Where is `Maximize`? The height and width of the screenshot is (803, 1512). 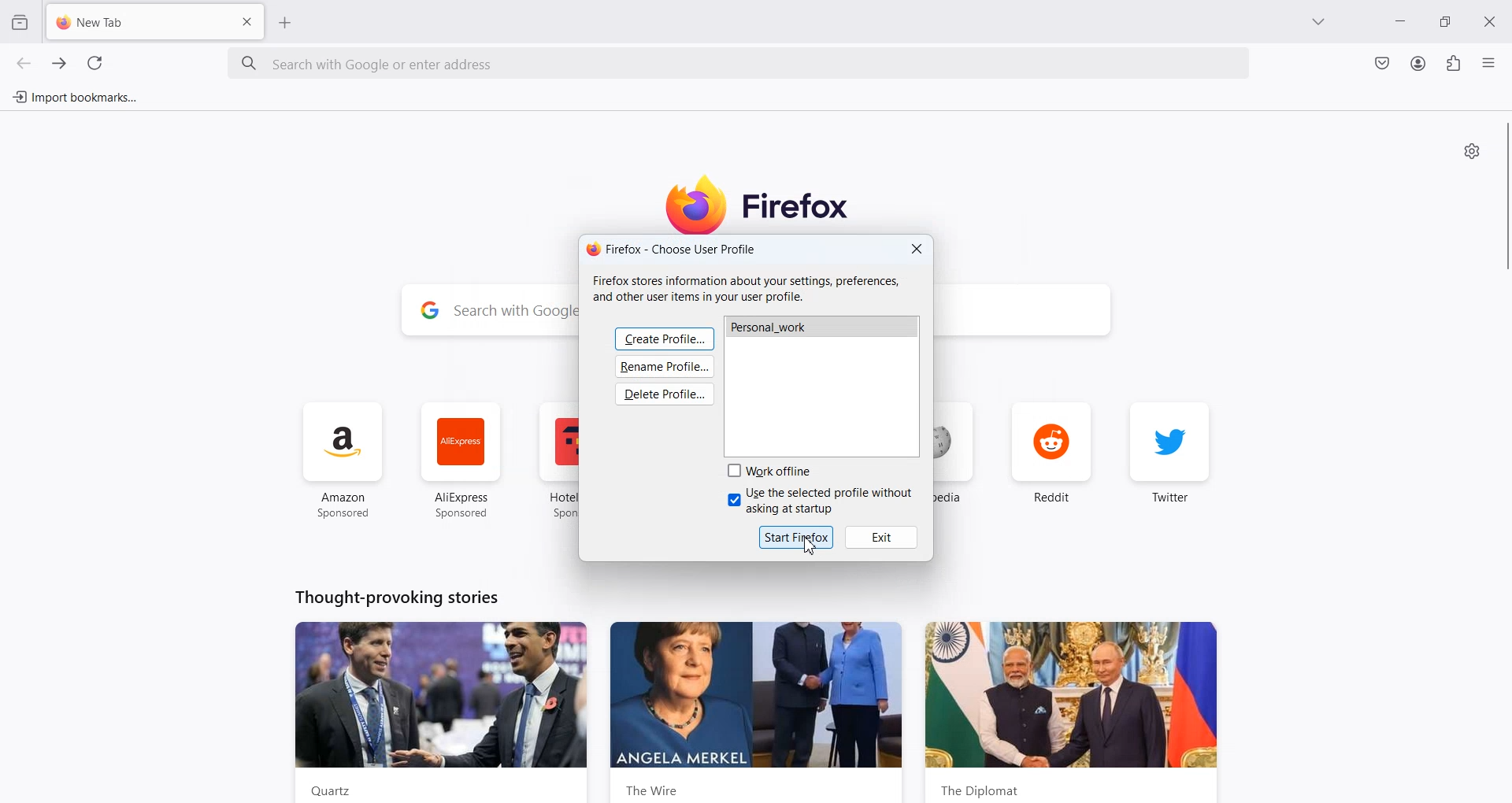
Maximize is located at coordinates (1448, 22).